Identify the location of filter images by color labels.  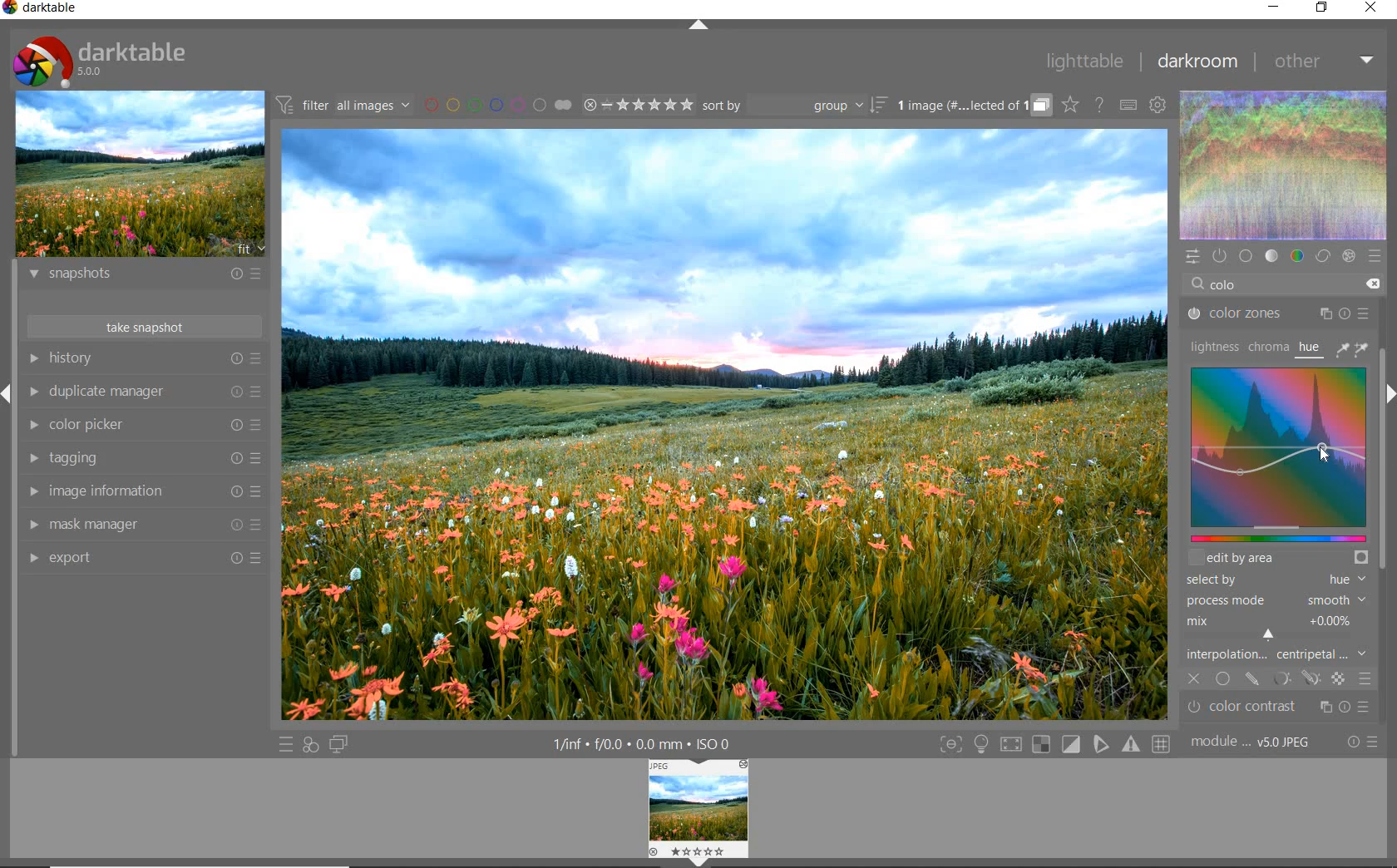
(496, 105).